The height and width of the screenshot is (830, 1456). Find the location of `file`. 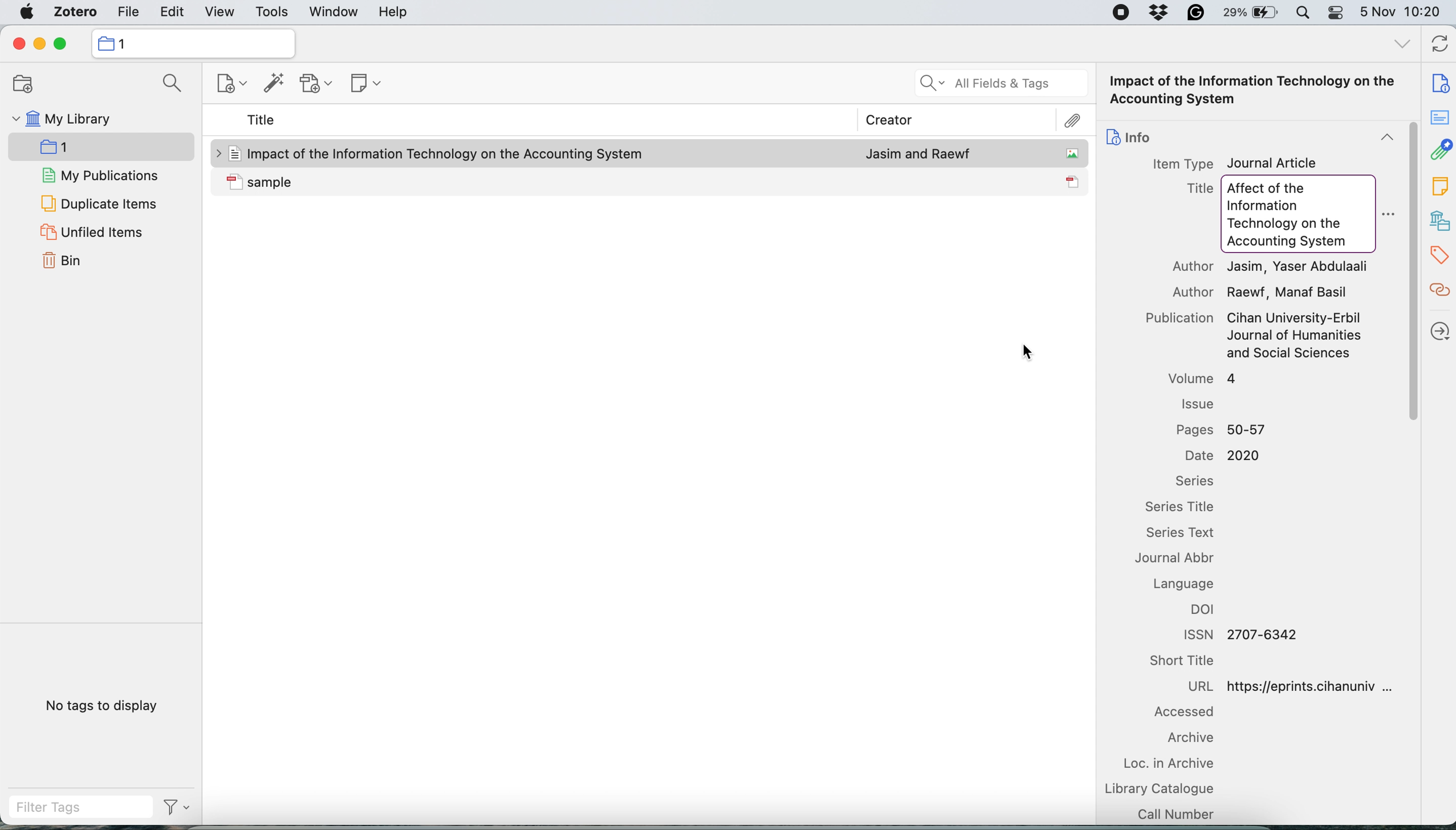

file is located at coordinates (128, 12).